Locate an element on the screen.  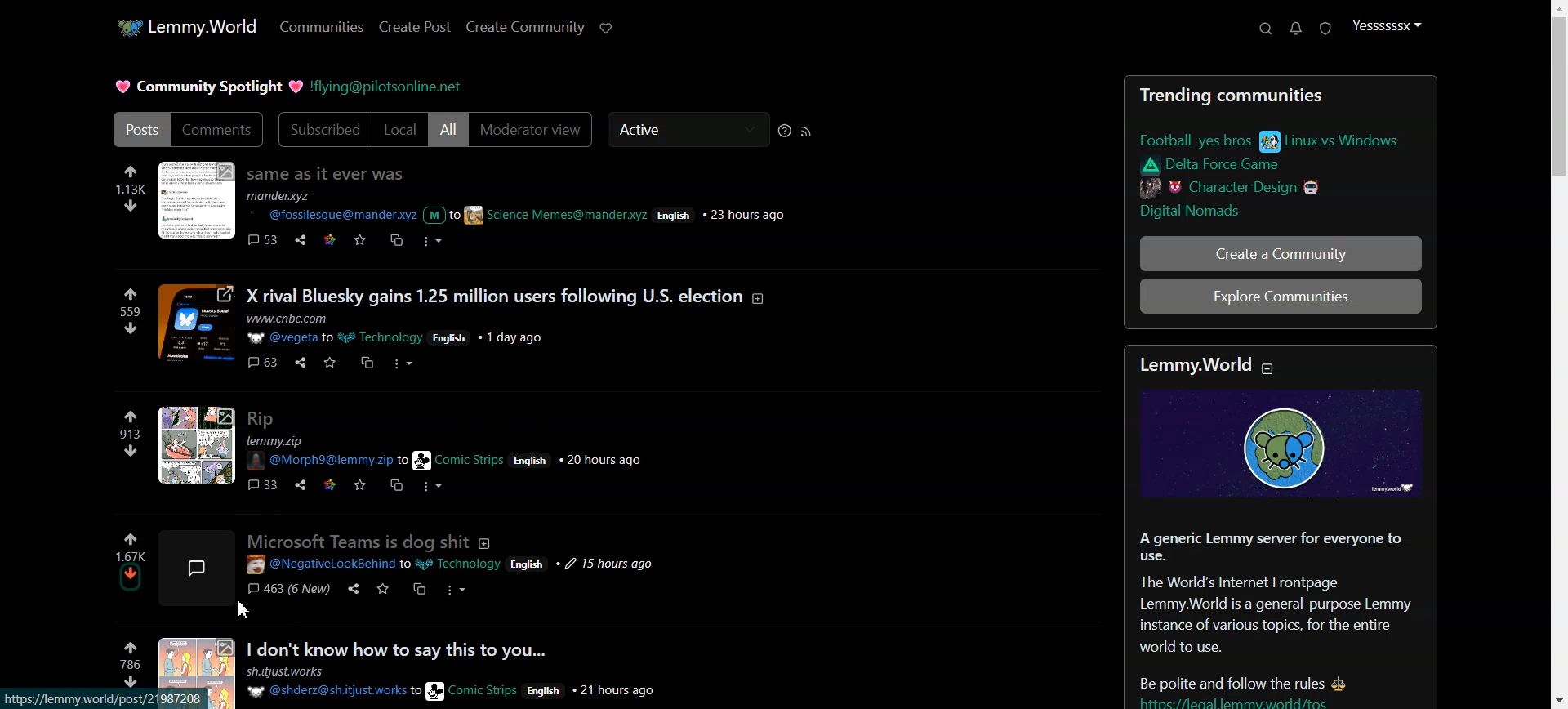
Comments is located at coordinates (219, 130).